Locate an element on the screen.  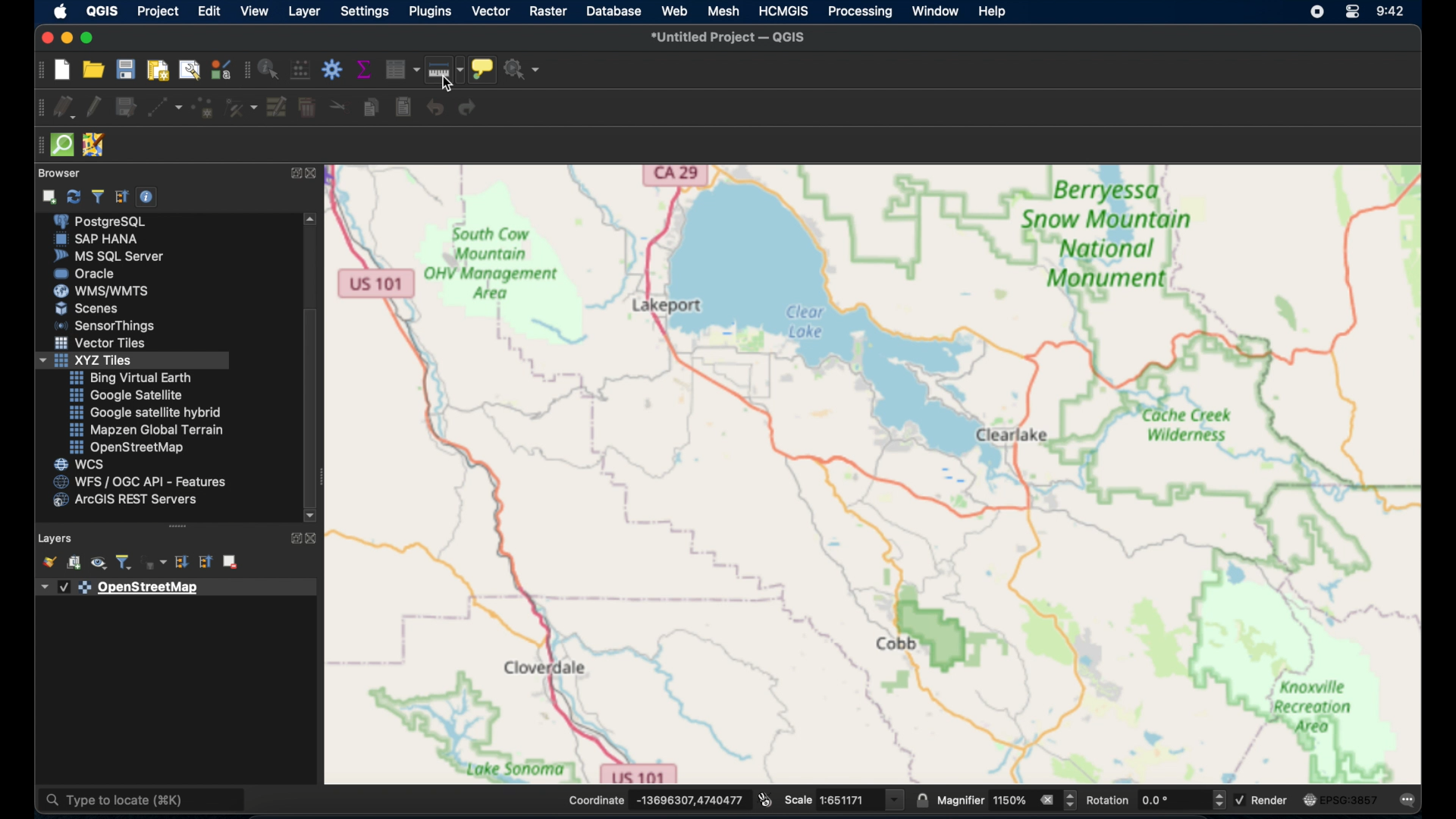
show statistical summary is located at coordinates (366, 69).